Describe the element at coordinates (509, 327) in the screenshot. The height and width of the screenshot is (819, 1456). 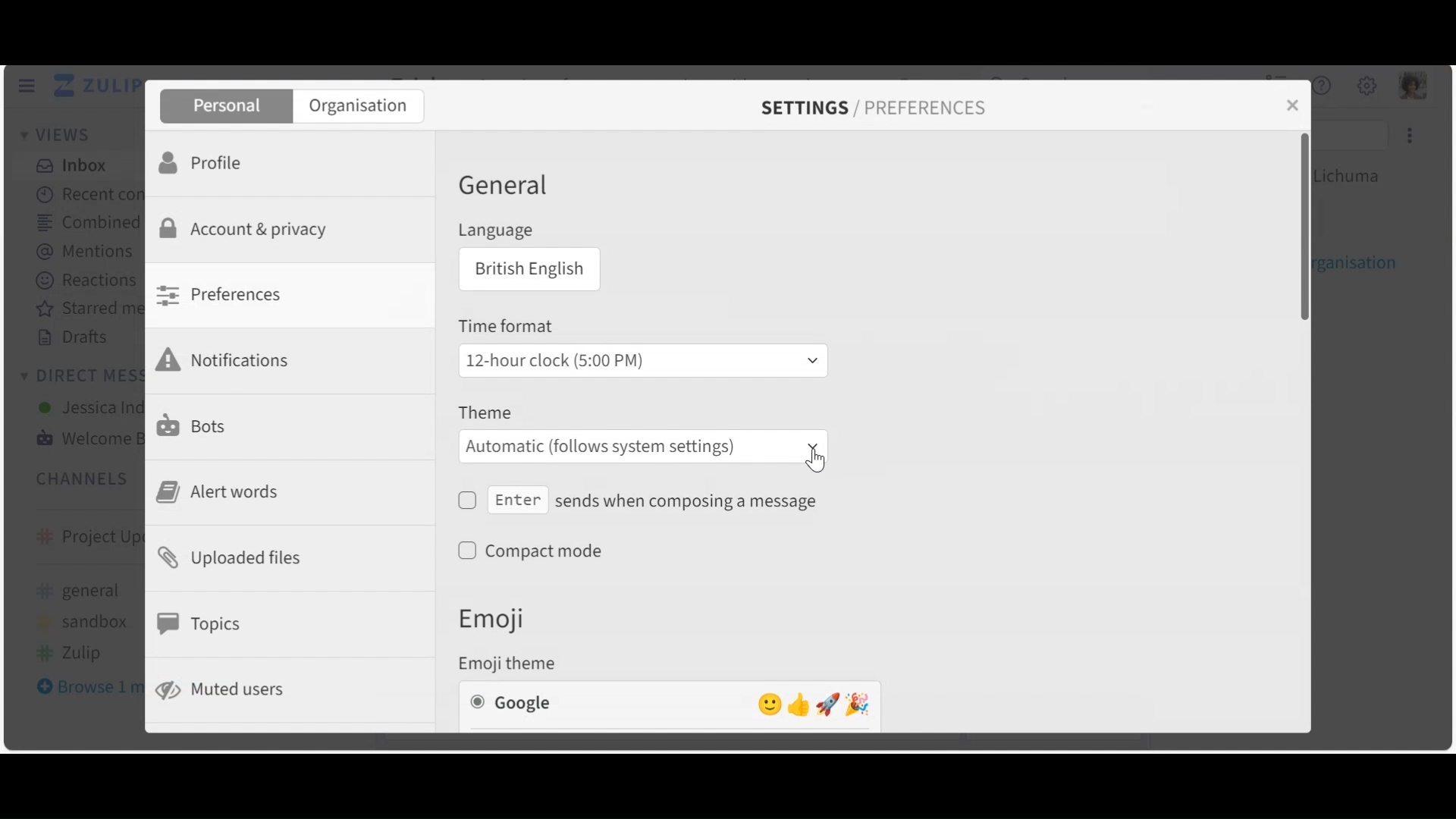
I see `Time Format` at that location.